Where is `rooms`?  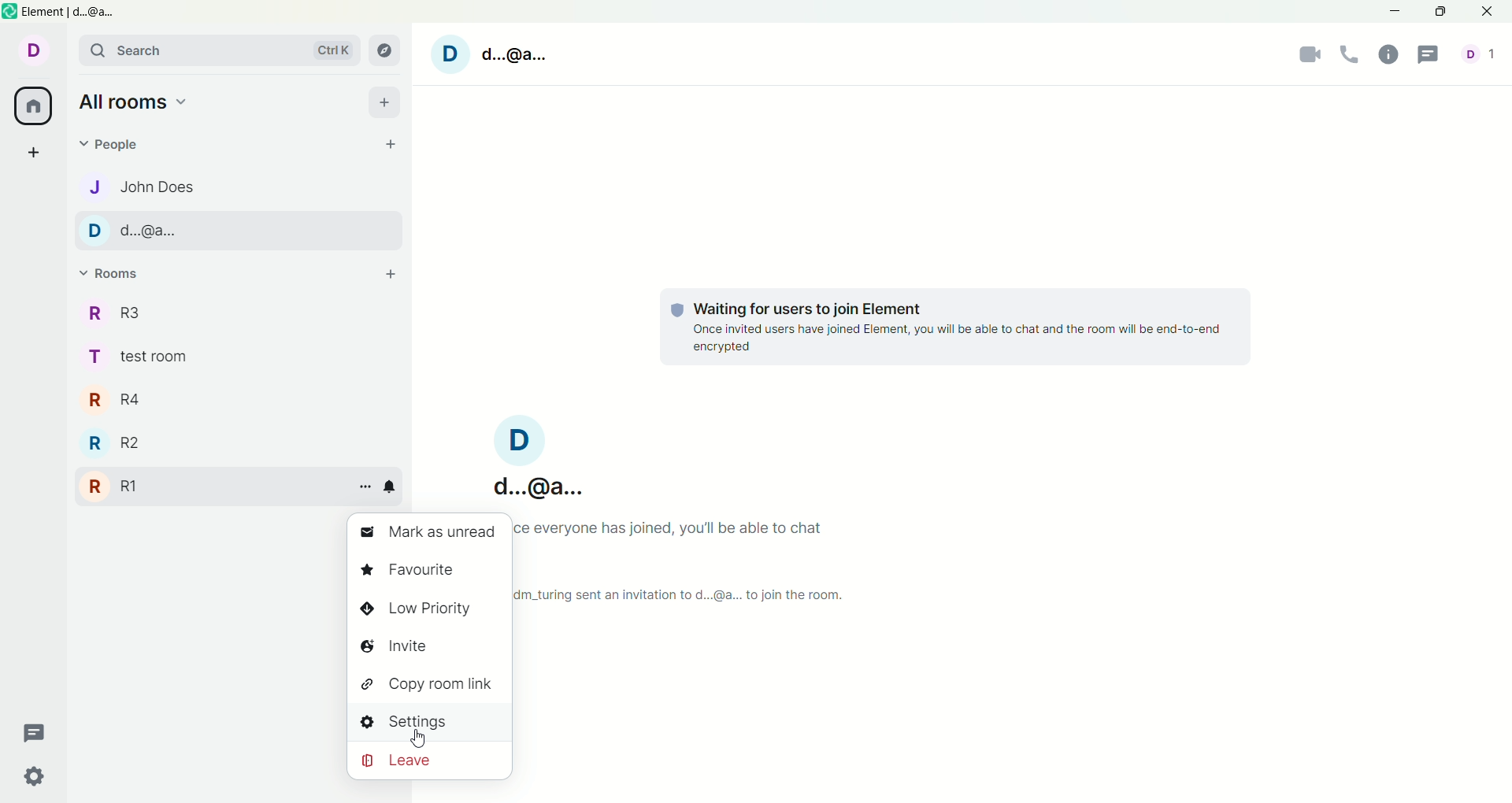 rooms is located at coordinates (108, 275).